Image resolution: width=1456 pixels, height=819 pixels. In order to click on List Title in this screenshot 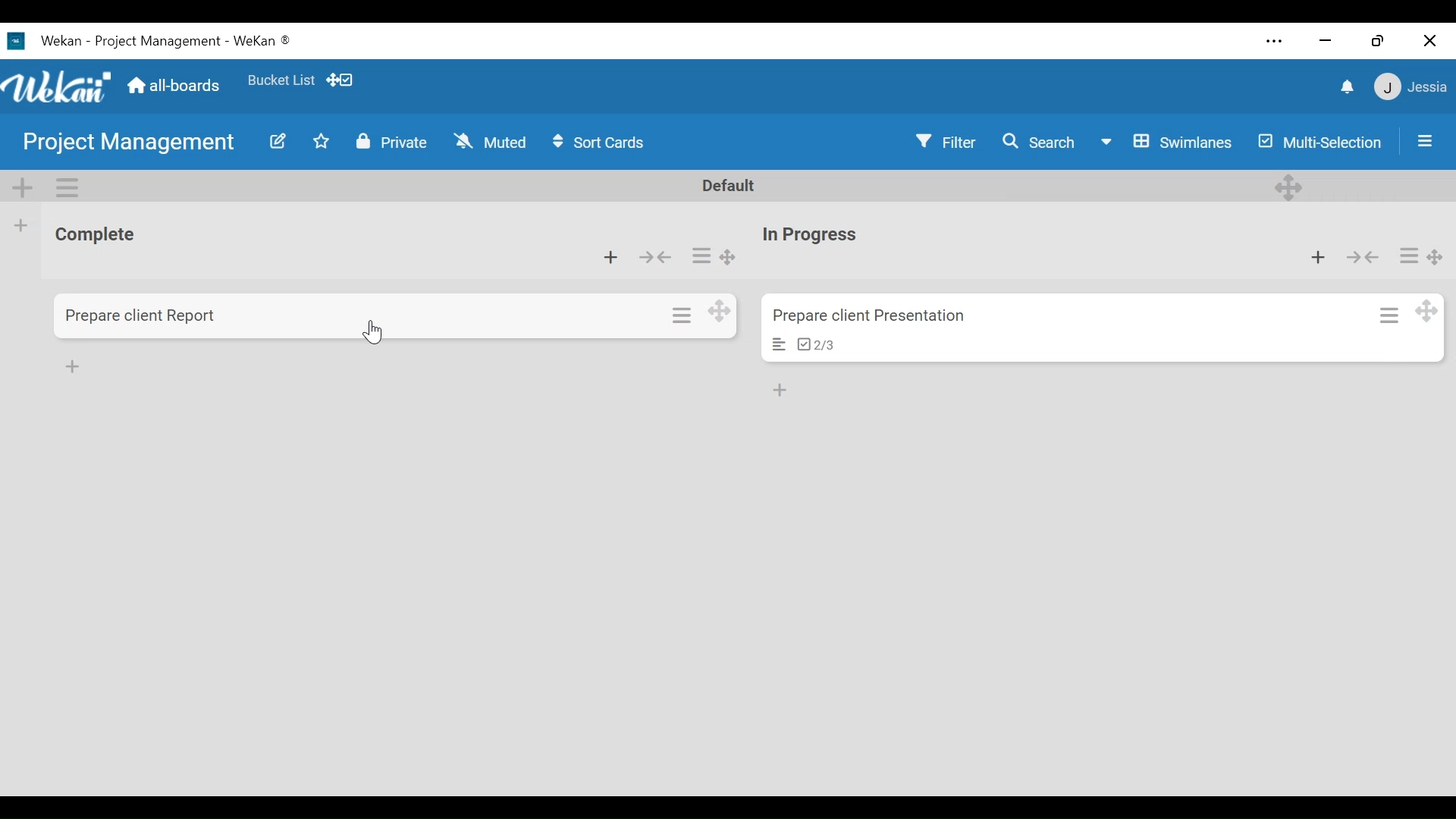, I will do `click(94, 234)`.